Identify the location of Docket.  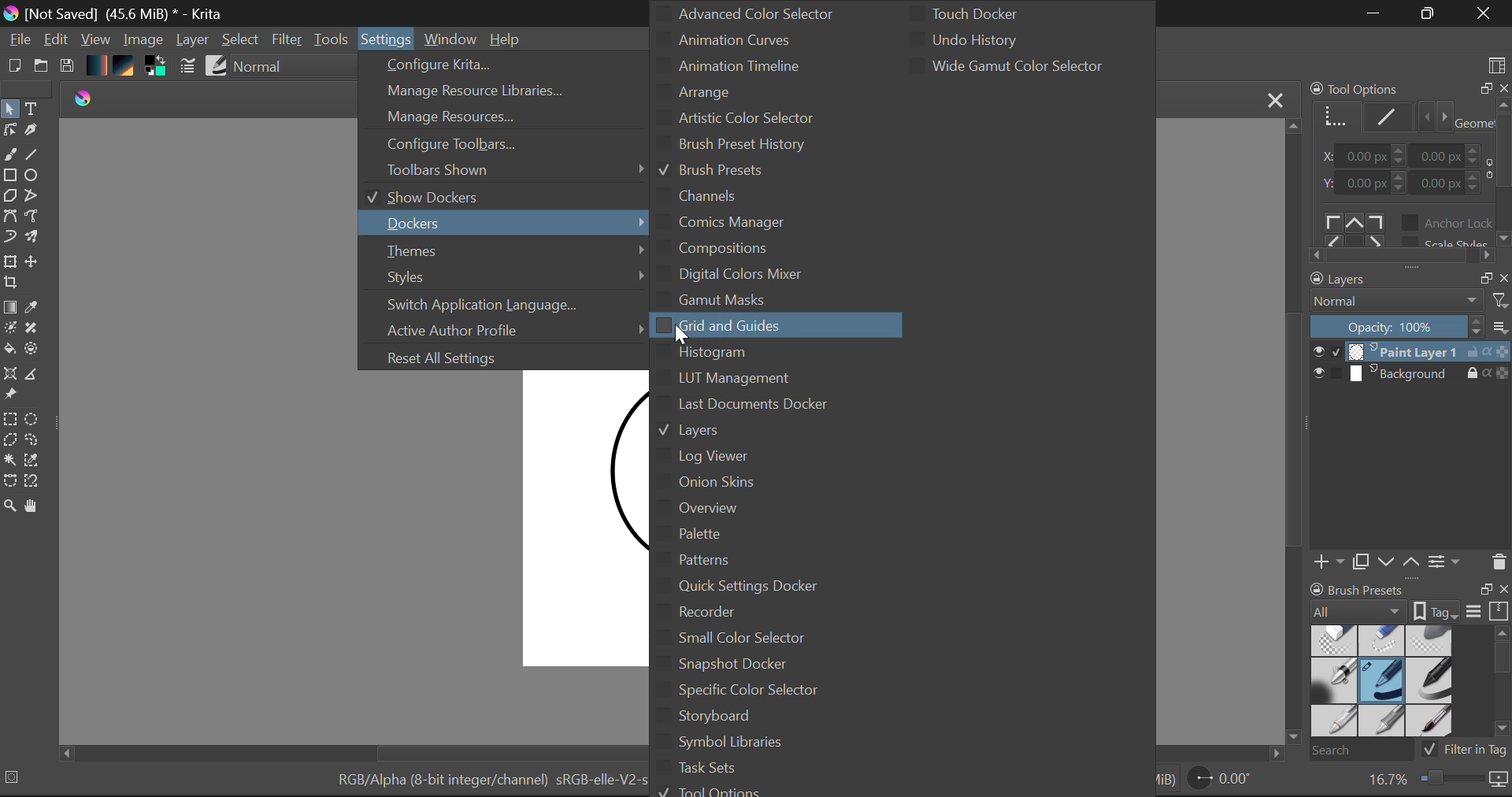
(498, 224).